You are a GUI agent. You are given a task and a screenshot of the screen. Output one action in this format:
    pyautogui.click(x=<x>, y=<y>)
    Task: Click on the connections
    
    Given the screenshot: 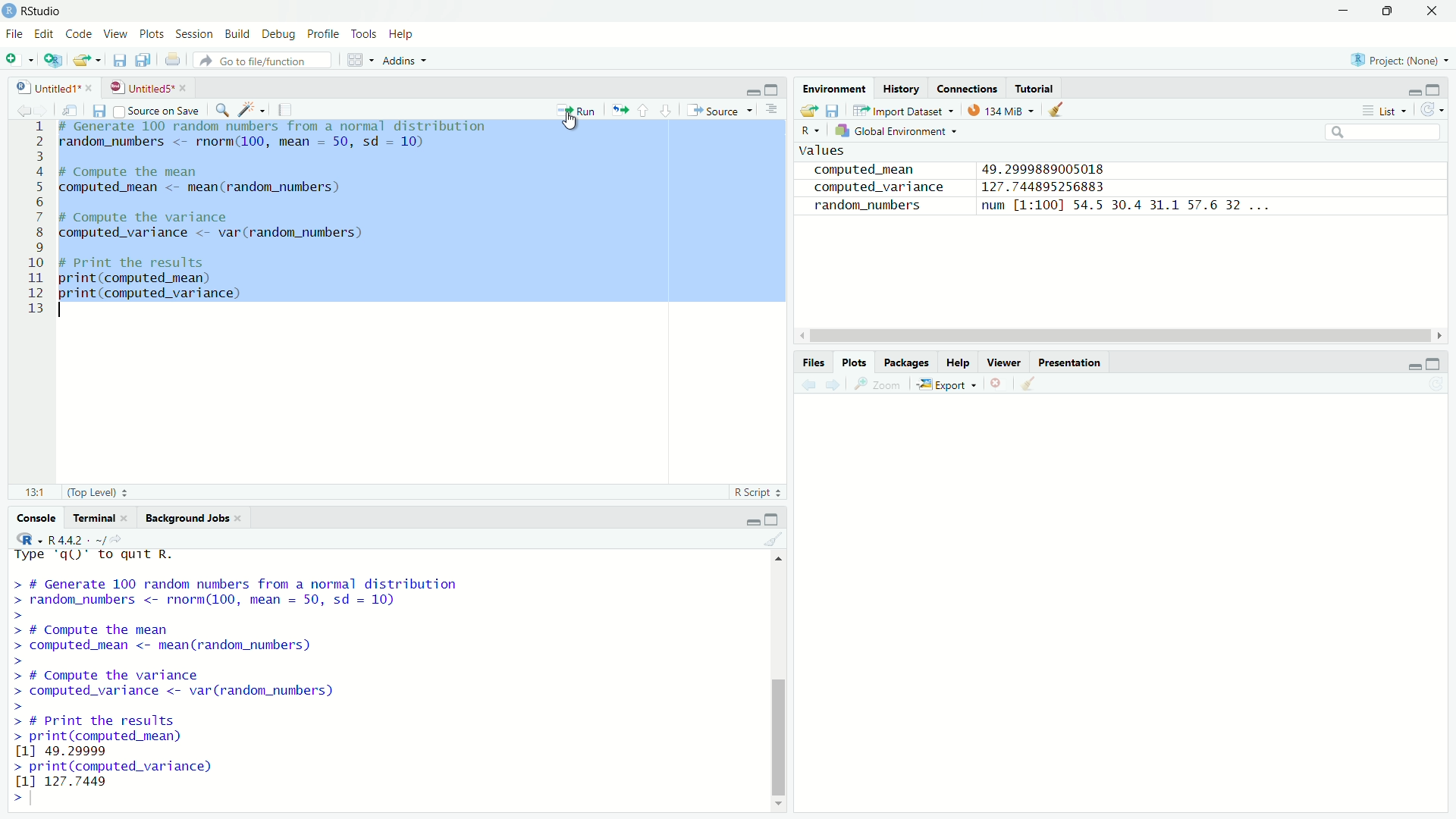 What is the action you would take?
    pyautogui.click(x=967, y=89)
    